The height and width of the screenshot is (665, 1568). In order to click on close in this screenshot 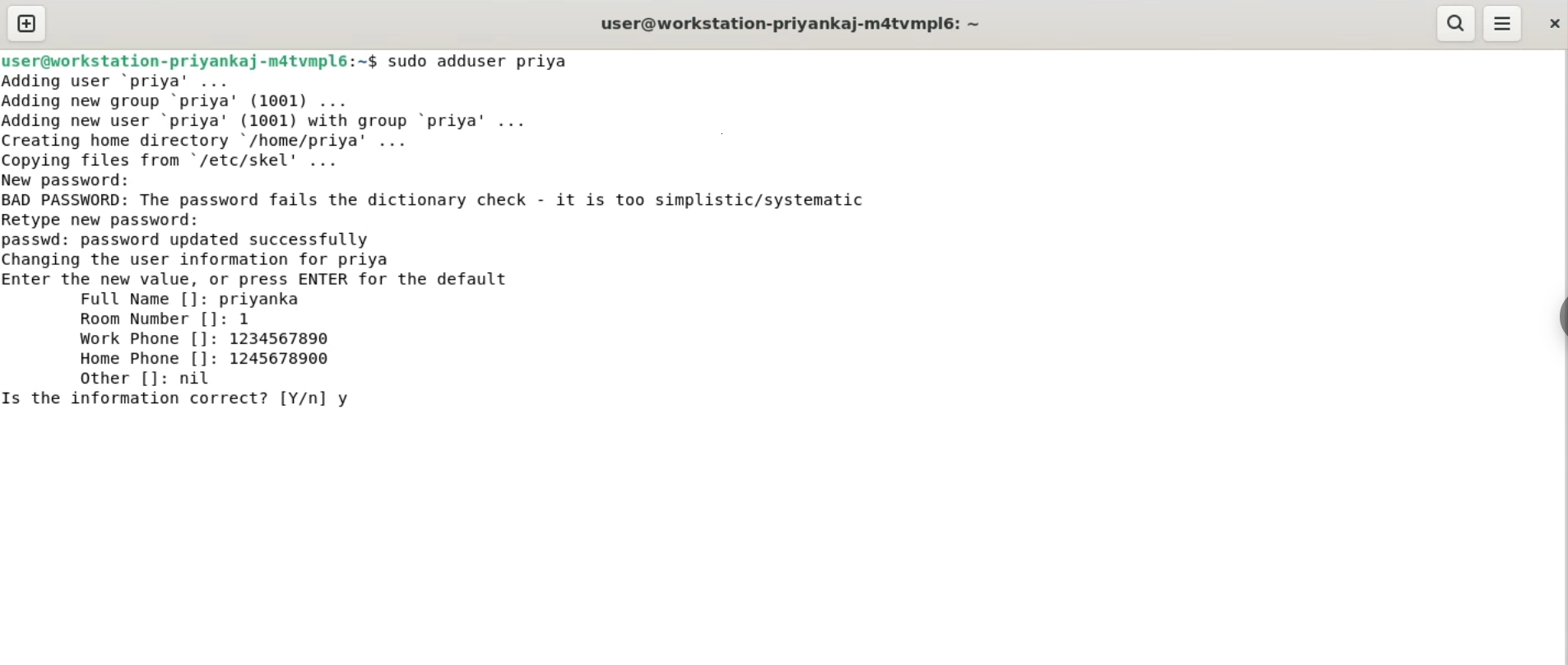, I will do `click(1552, 23)`.